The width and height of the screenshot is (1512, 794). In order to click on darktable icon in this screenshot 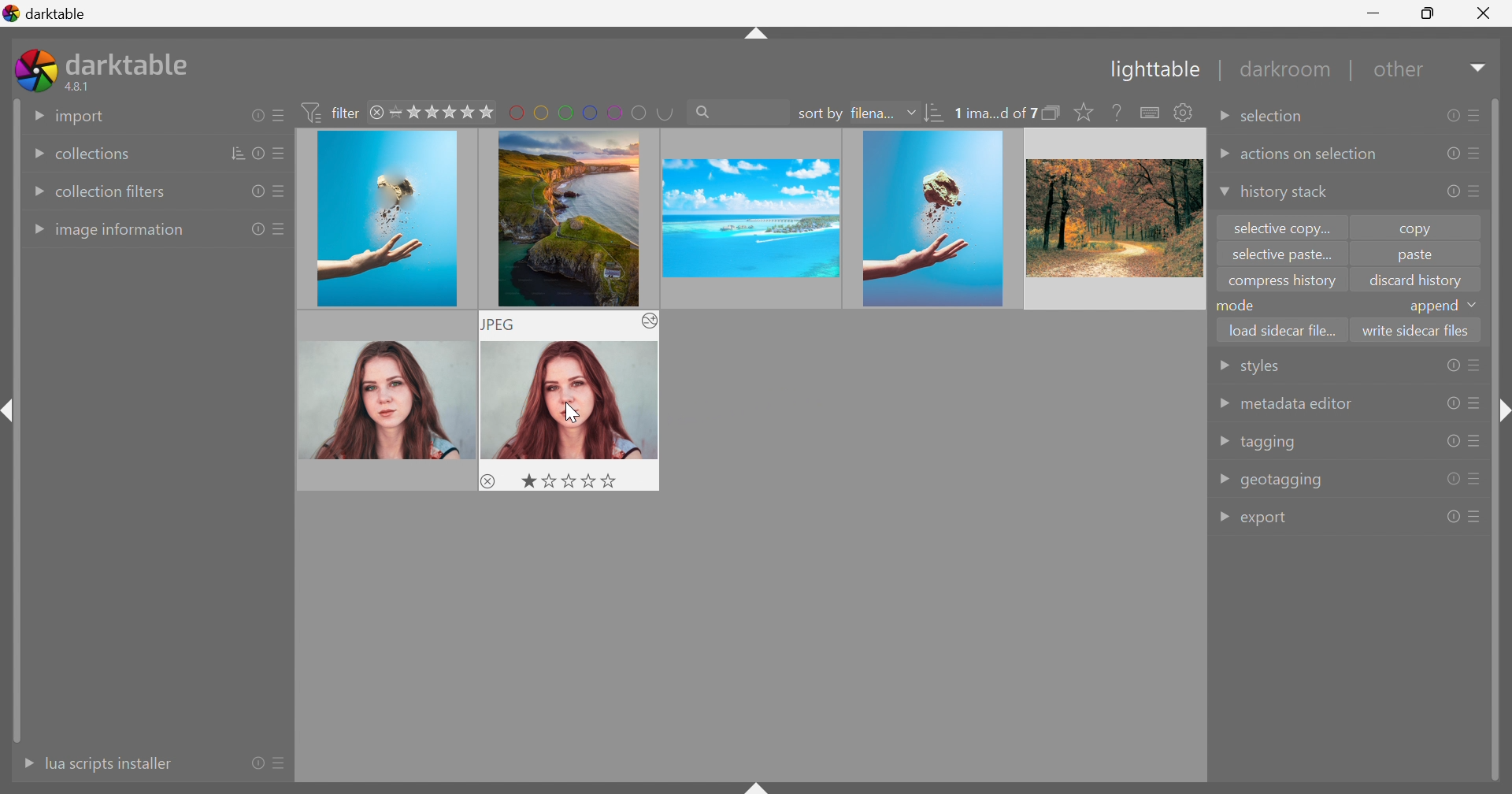, I will do `click(35, 70)`.